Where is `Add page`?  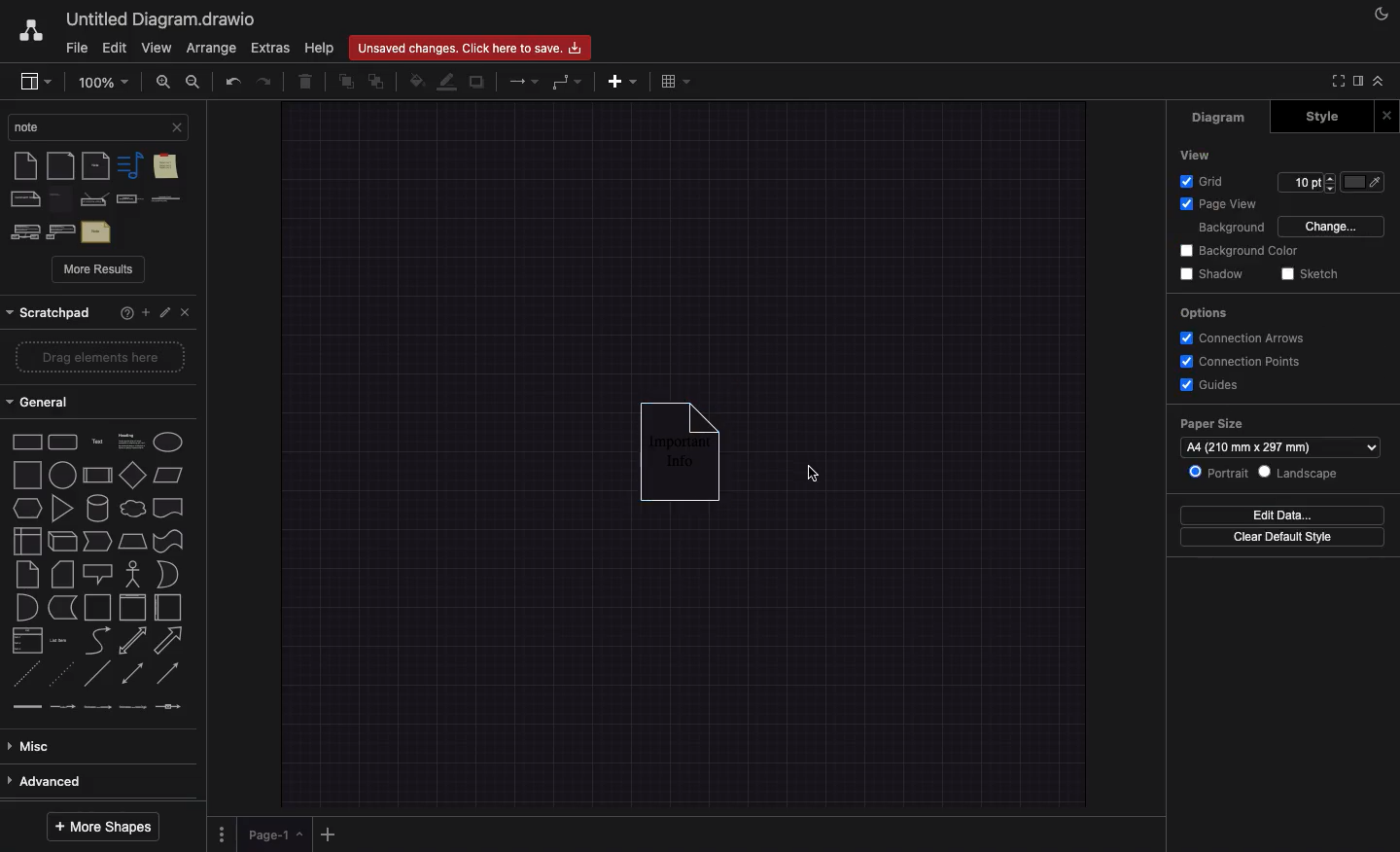 Add page is located at coordinates (327, 835).